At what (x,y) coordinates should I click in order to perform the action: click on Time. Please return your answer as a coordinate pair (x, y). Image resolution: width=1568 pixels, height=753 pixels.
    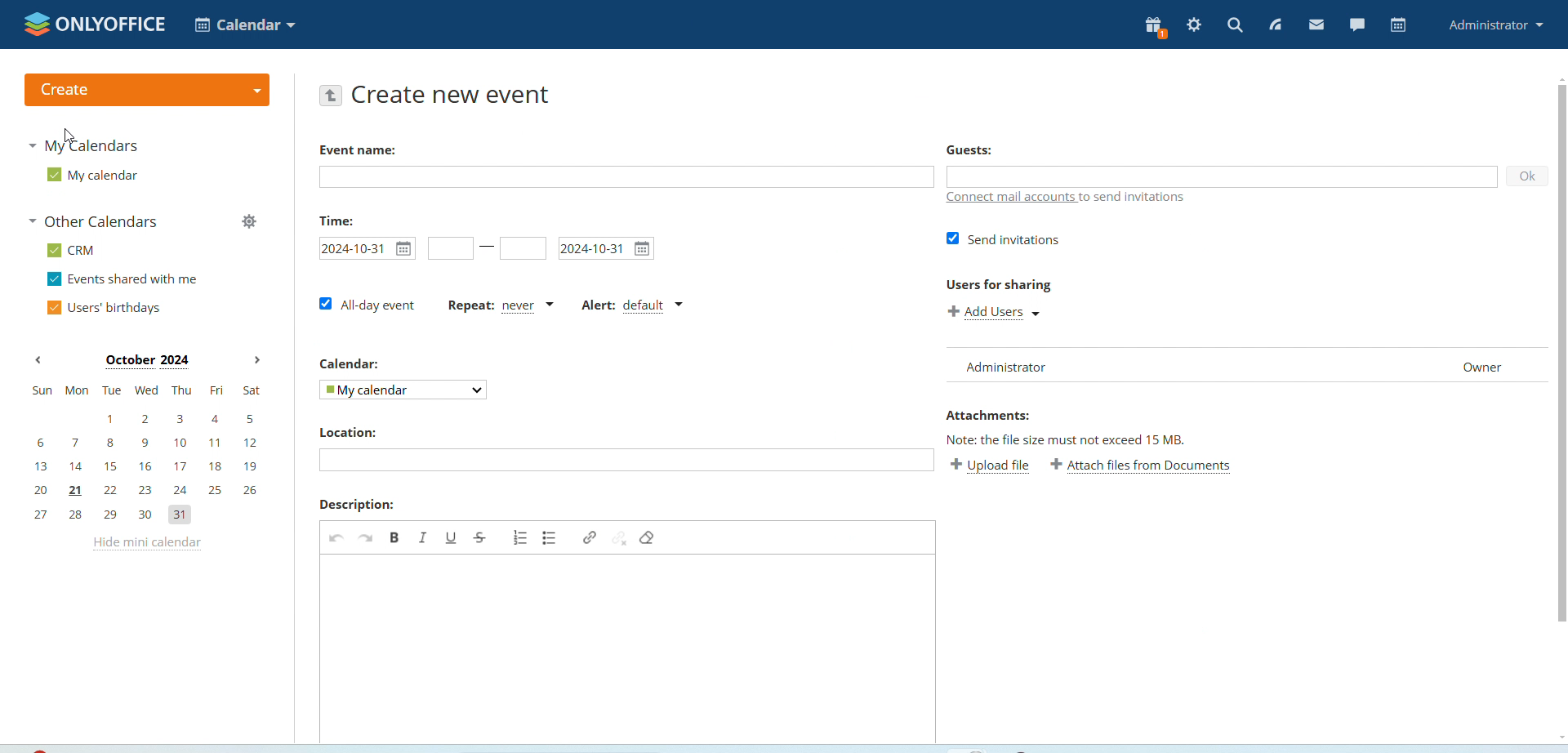
    Looking at the image, I should click on (337, 221).